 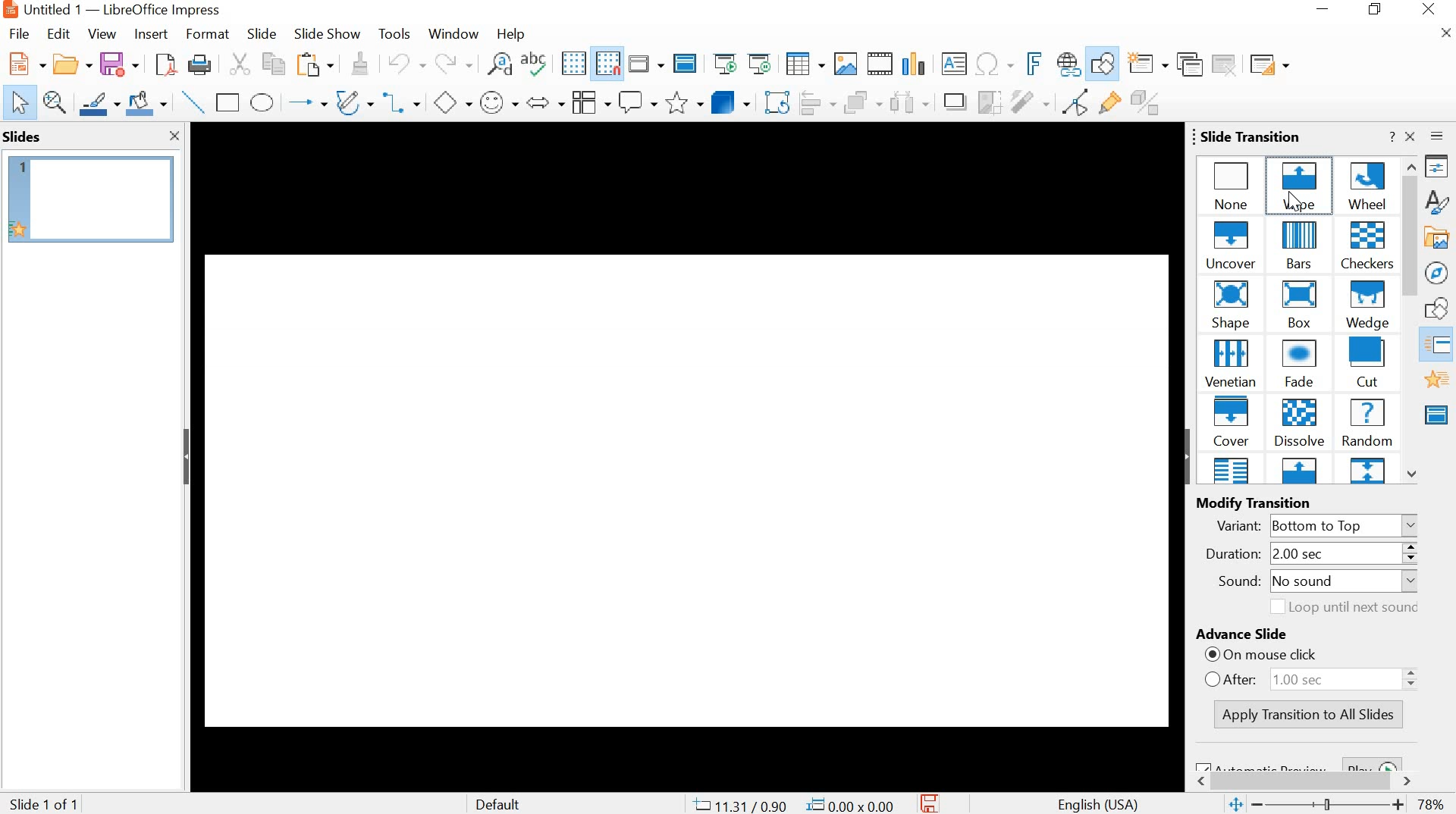 I want to click on wipe transition added, so click(x=686, y=452).